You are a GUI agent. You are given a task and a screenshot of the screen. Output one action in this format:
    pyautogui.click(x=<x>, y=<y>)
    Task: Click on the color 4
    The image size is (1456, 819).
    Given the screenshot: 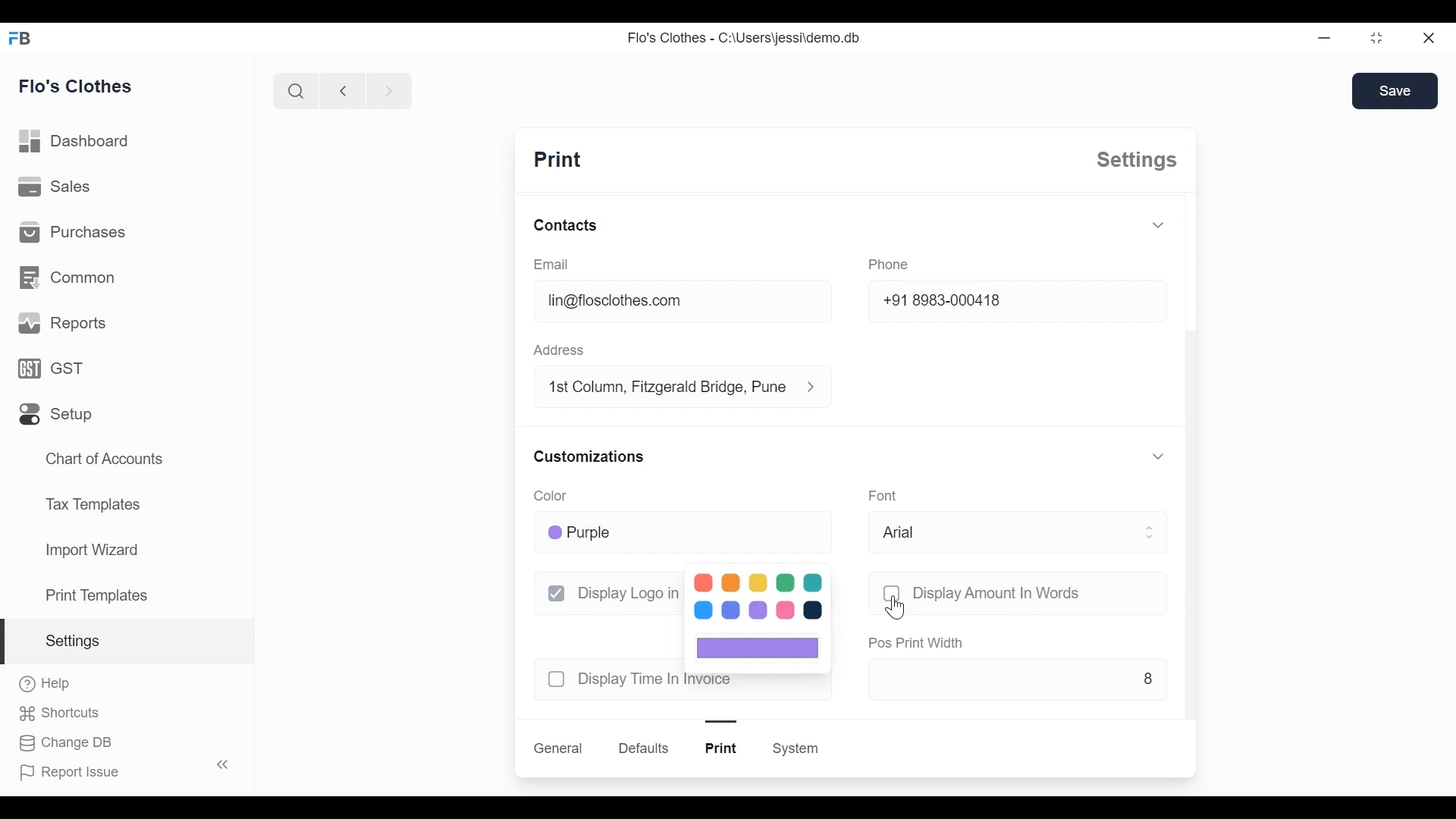 What is the action you would take?
    pyautogui.click(x=786, y=582)
    